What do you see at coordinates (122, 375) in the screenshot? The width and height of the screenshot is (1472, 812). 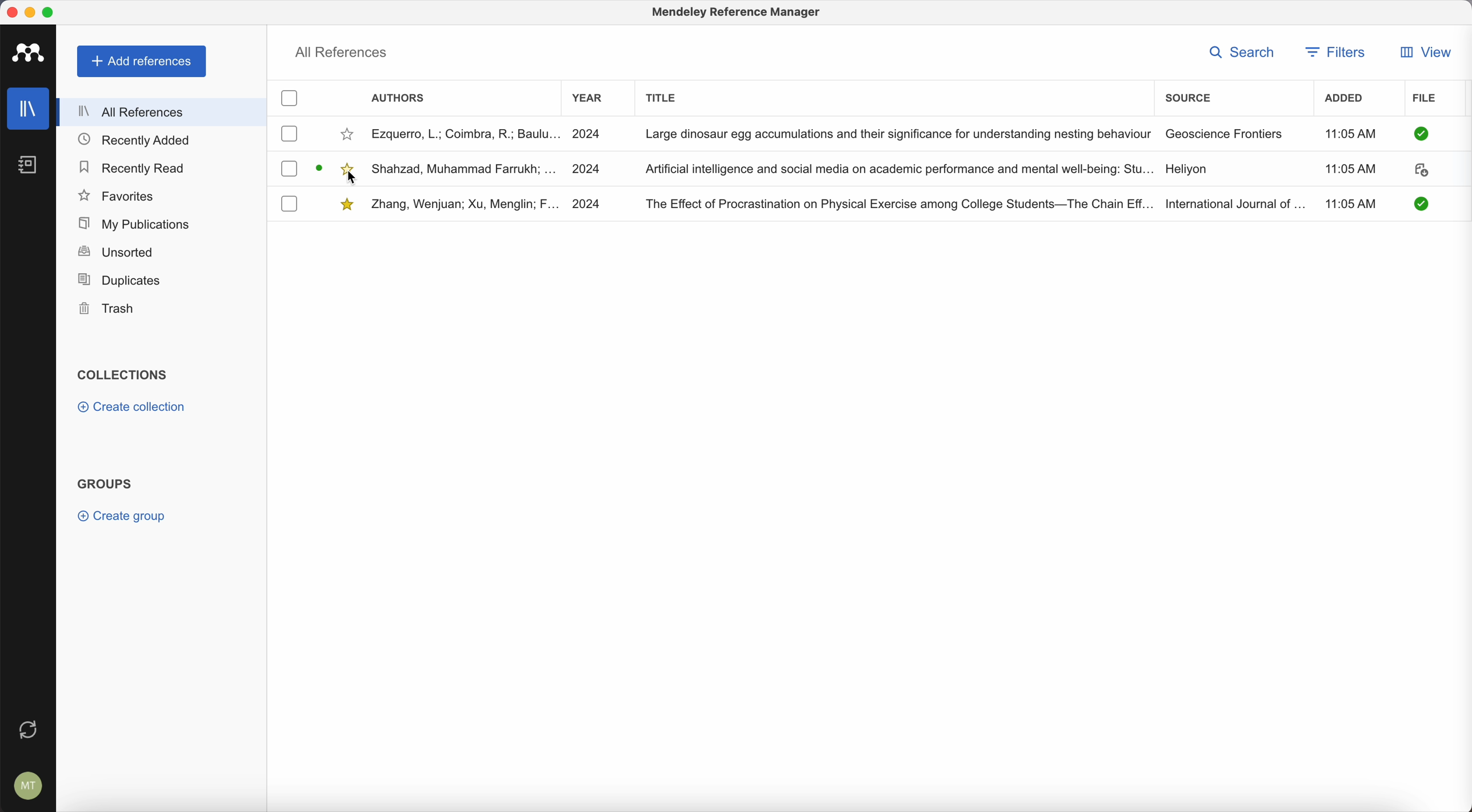 I see `collections` at bounding box center [122, 375].